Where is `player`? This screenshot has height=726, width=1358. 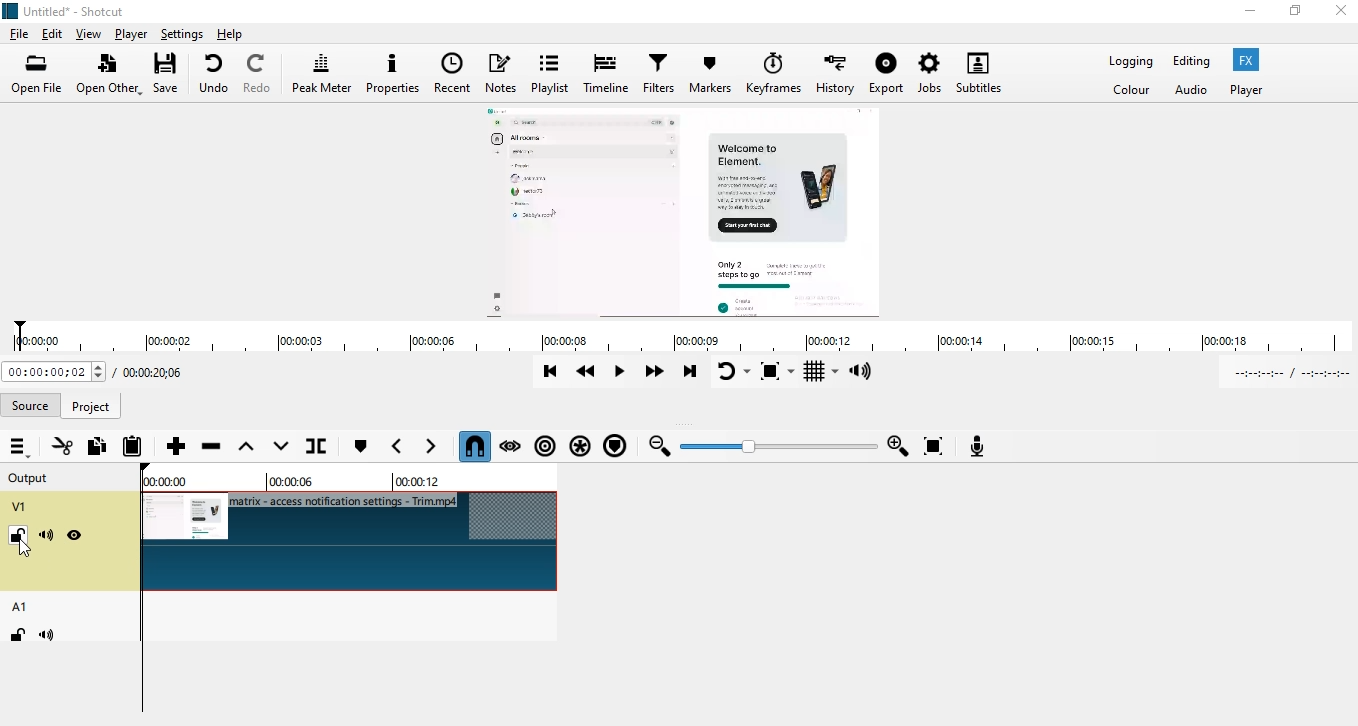
player is located at coordinates (131, 33).